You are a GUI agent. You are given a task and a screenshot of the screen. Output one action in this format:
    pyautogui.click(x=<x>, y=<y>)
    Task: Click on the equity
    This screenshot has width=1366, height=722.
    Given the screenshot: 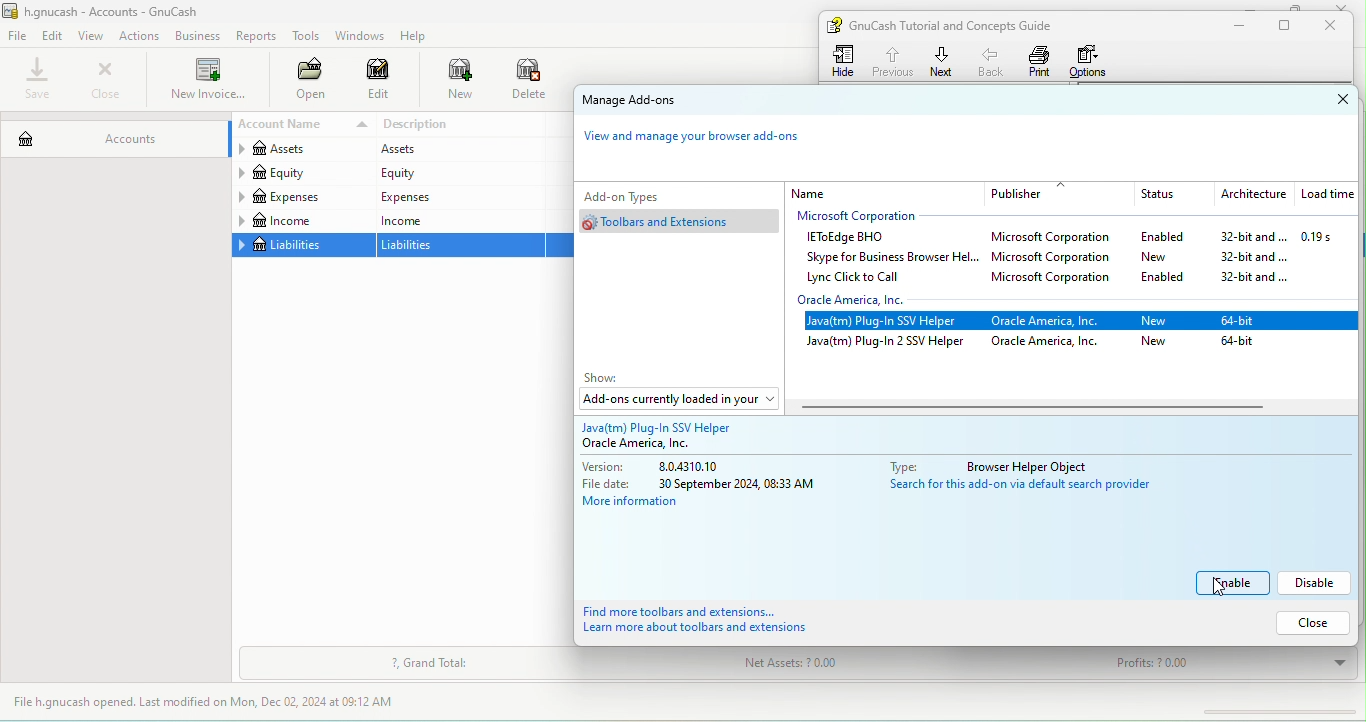 What is the action you would take?
    pyautogui.click(x=458, y=173)
    